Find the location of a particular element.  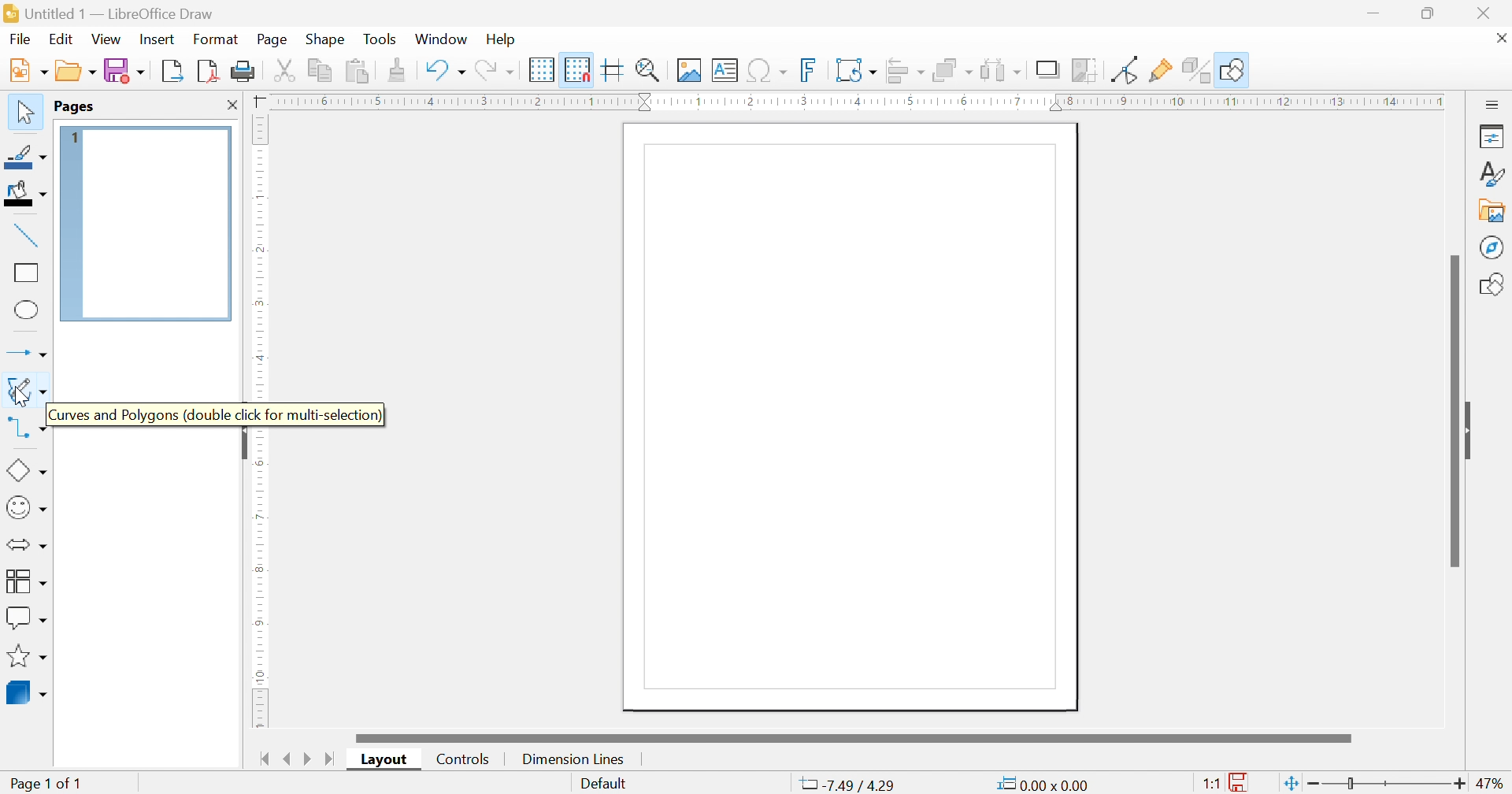

basic shapes is located at coordinates (27, 471).